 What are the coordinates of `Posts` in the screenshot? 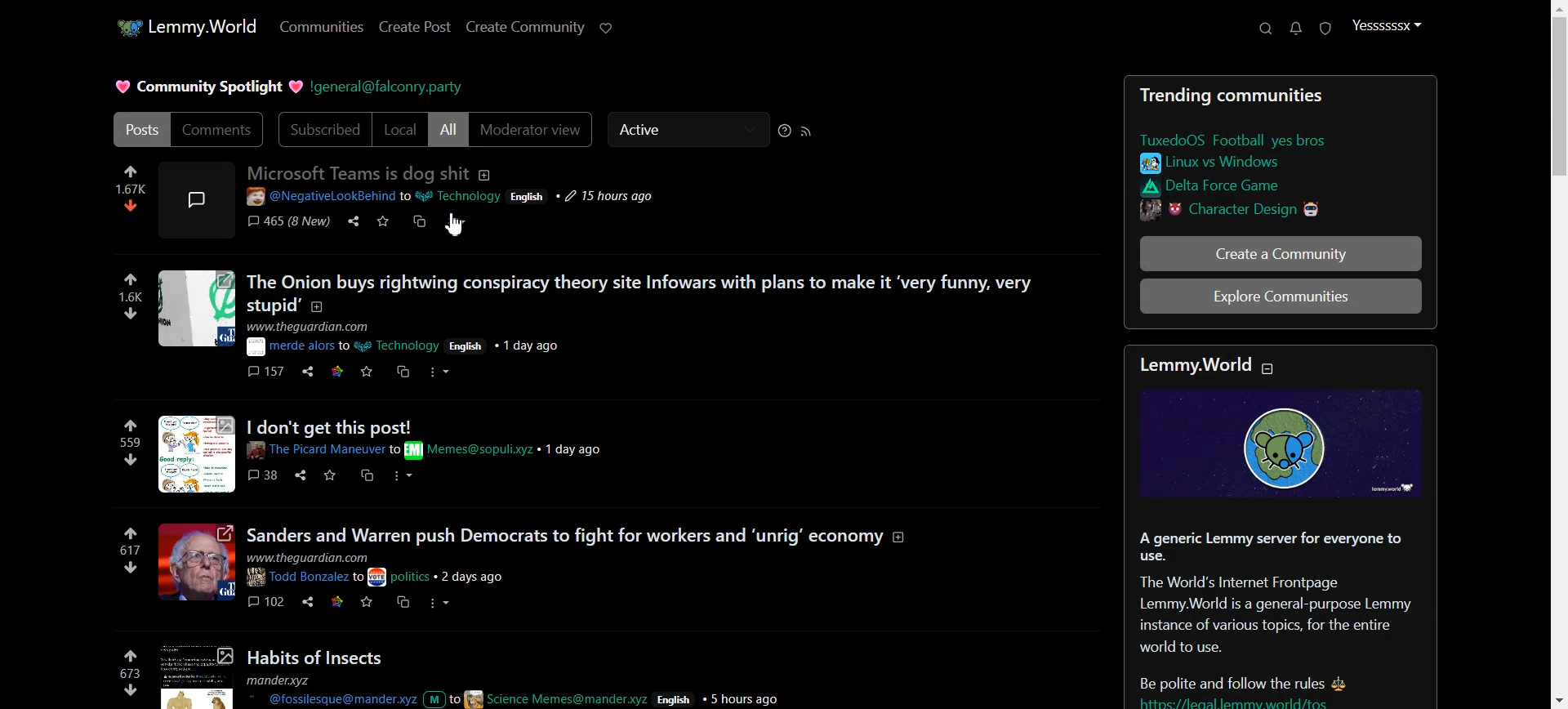 It's located at (140, 129).